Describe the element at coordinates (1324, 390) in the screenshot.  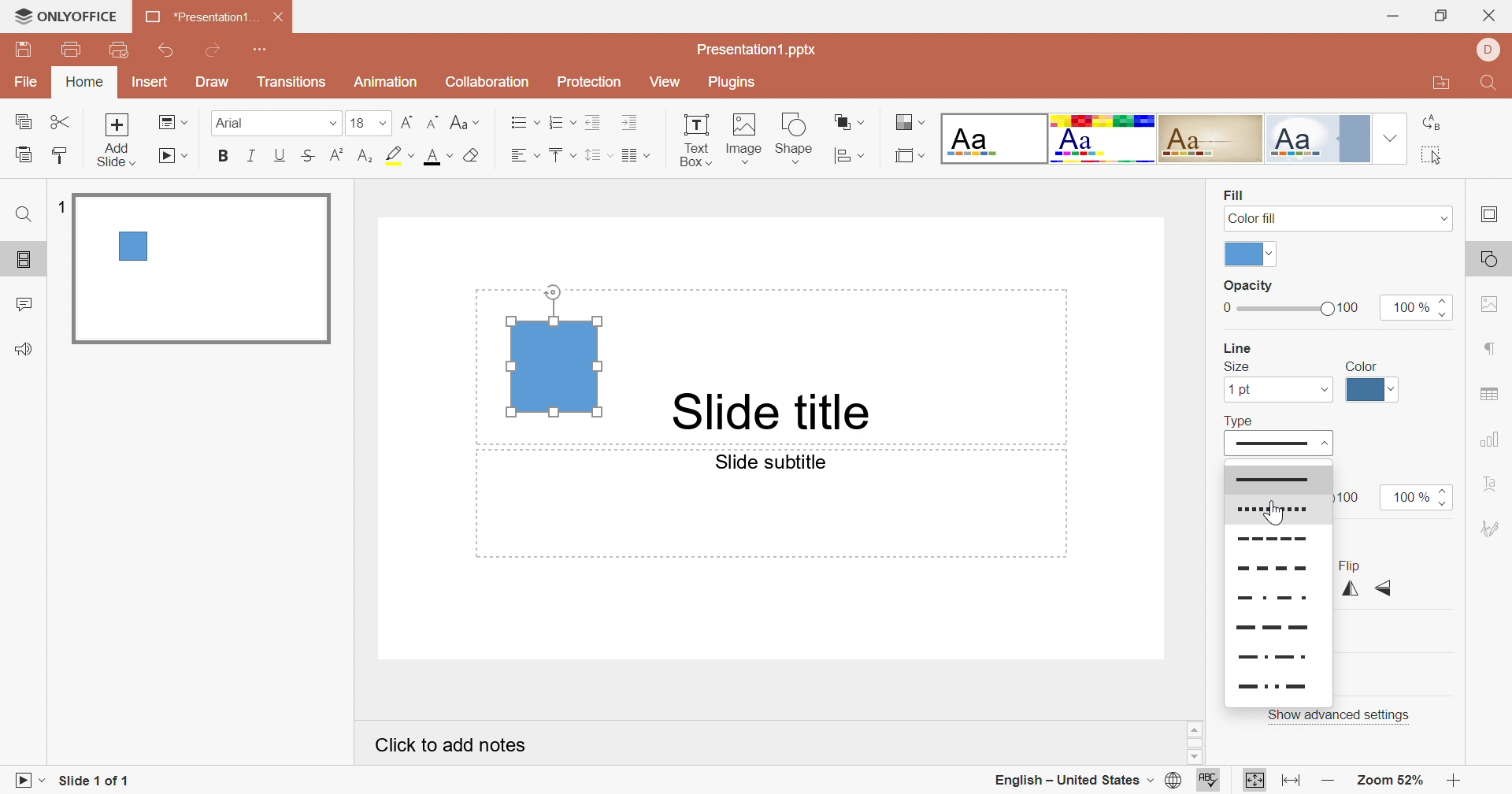
I see `Drop Down` at that location.